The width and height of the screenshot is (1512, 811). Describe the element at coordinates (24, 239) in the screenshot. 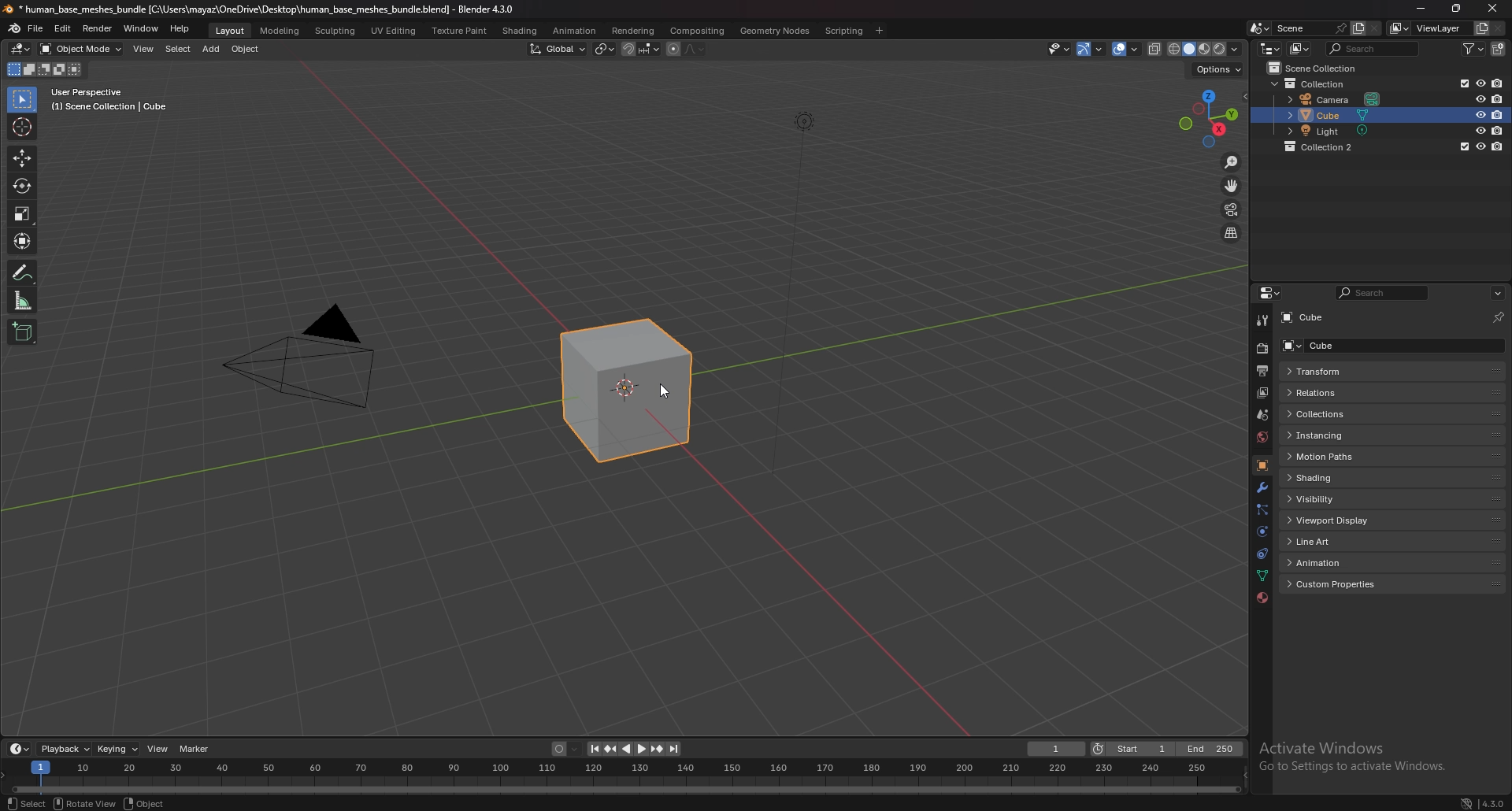

I see `transform` at that location.